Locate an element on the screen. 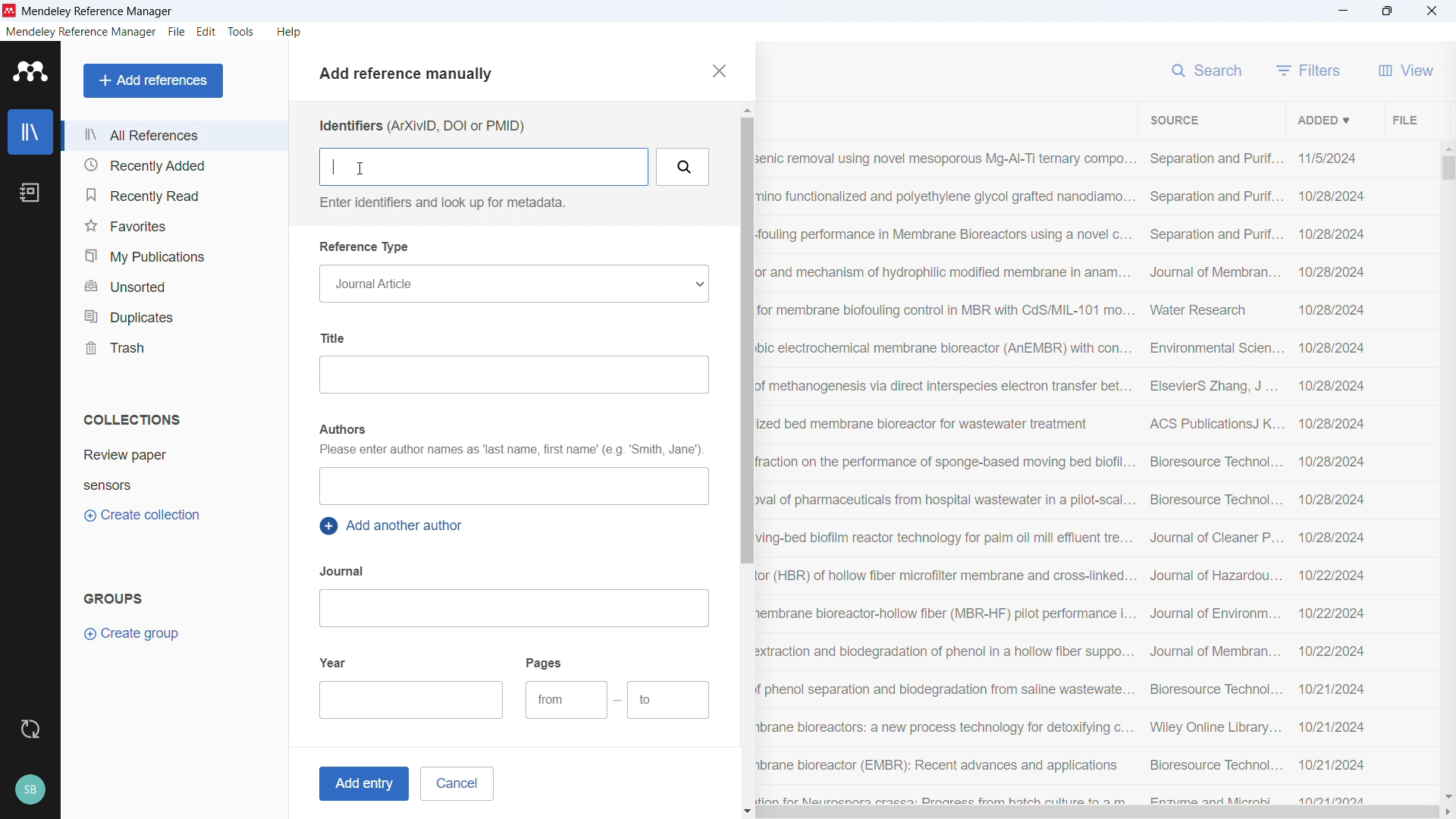 The height and width of the screenshot is (819, 1456). Add references  is located at coordinates (154, 80).